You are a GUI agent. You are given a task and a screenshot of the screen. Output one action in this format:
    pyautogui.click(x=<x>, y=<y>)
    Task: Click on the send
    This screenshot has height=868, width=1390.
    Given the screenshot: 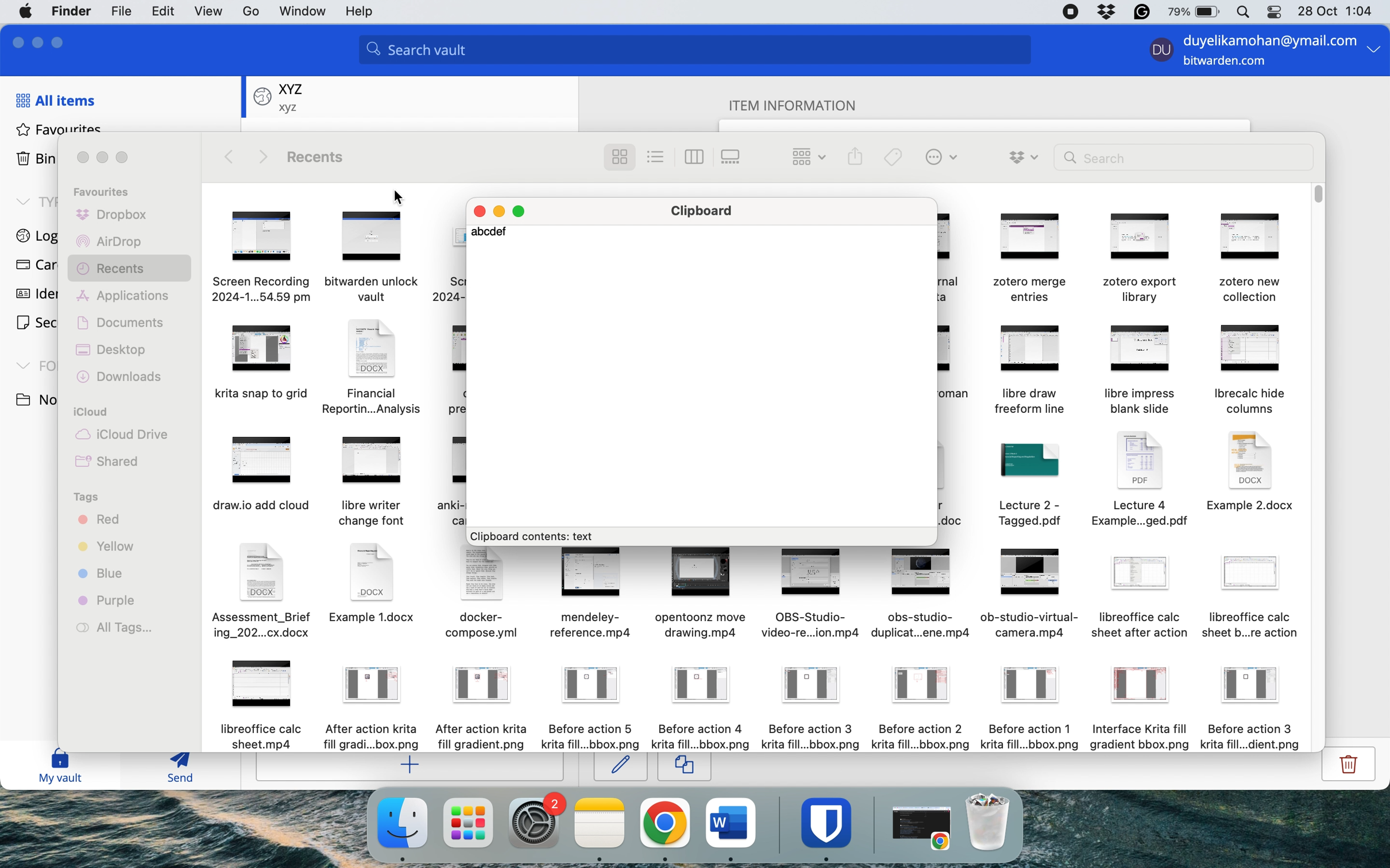 What is the action you would take?
    pyautogui.click(x=173, y=770)
    